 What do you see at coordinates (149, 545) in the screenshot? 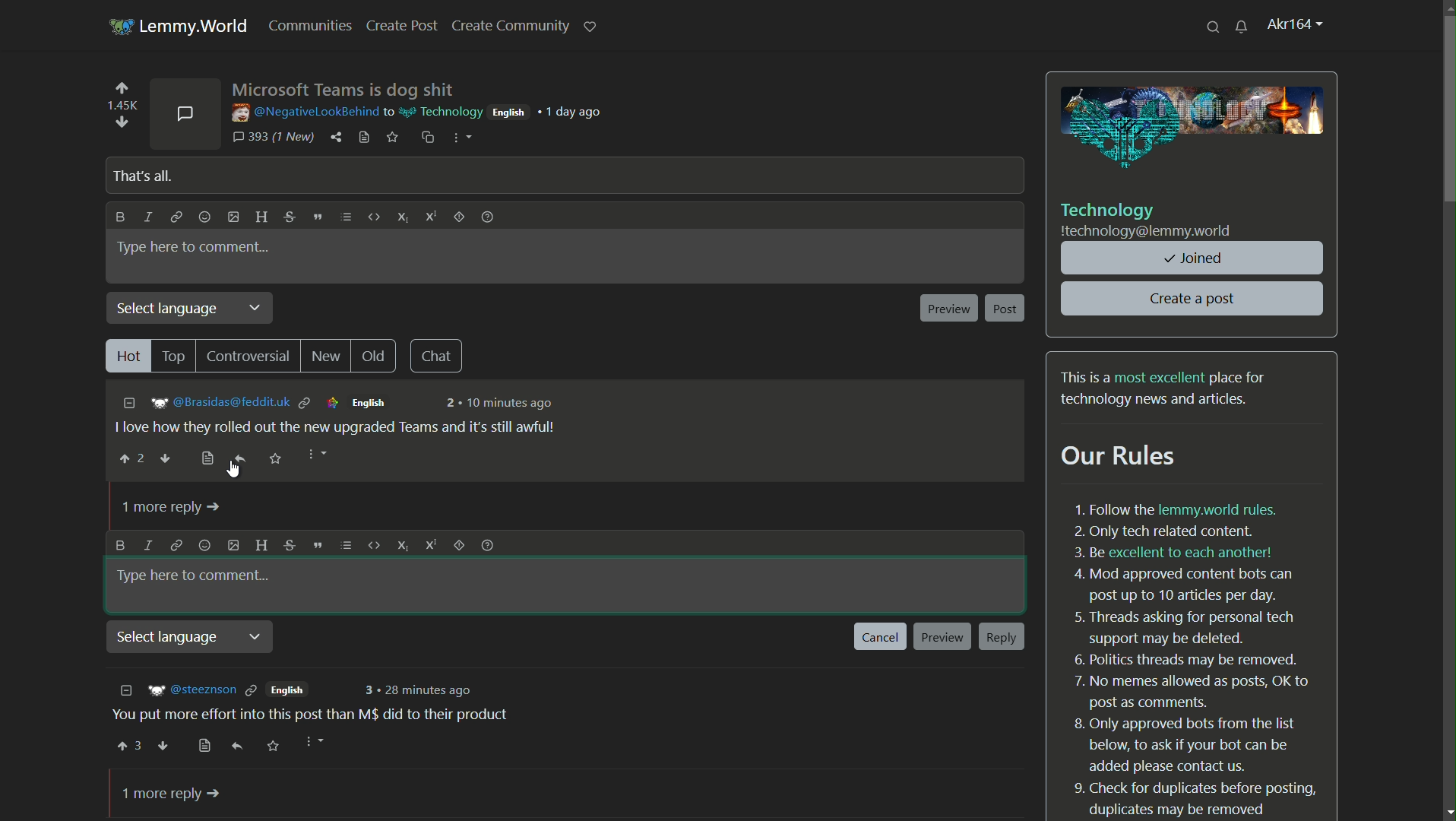
I see `italic` at bounding box center [149, 545].